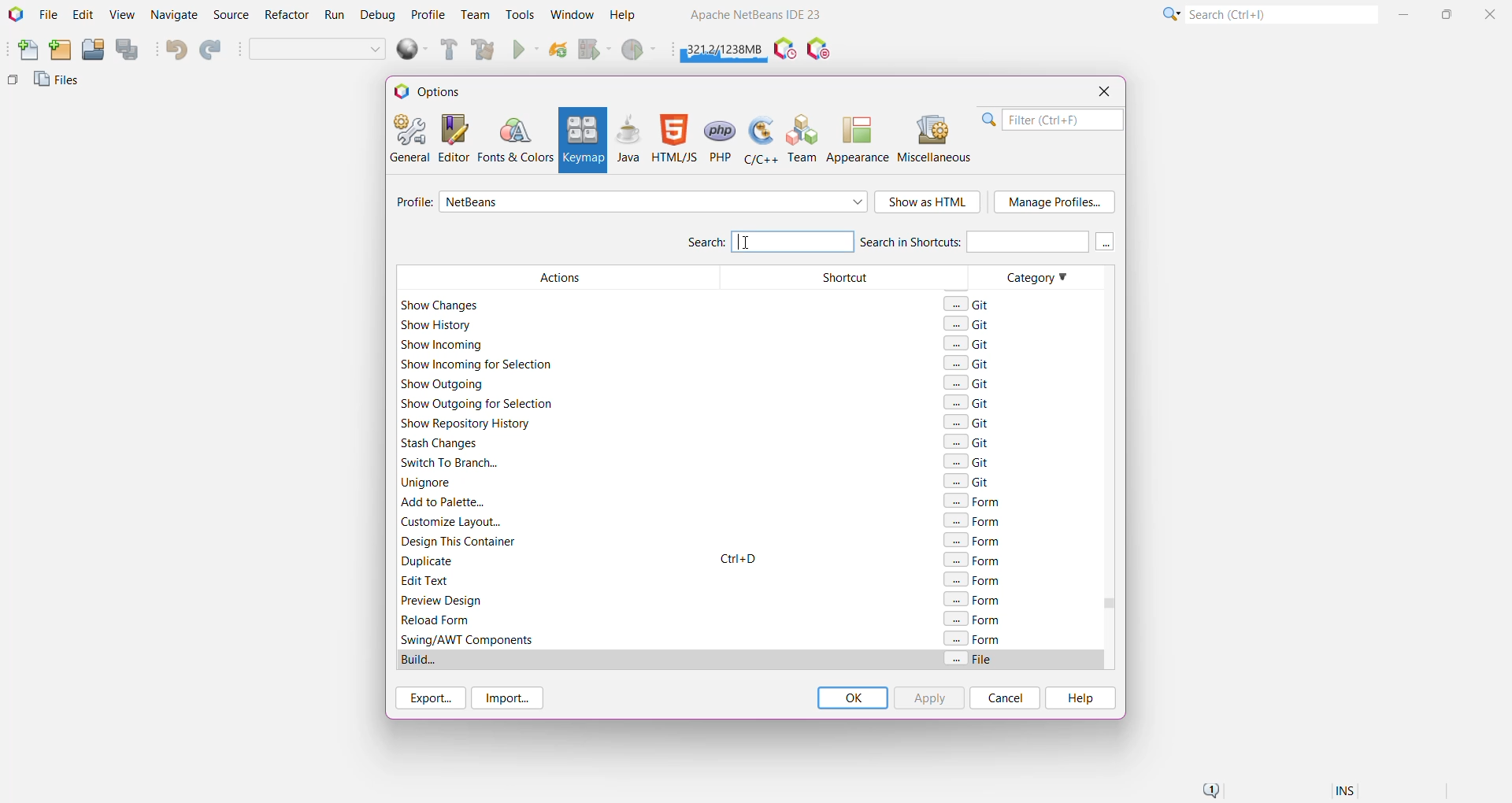 Image resolution: width=1512 pixels, height=803 pixels. Describe the element at coordinates (973, 241) in the screenshot. I see `Search in Shortcuts` at that location.